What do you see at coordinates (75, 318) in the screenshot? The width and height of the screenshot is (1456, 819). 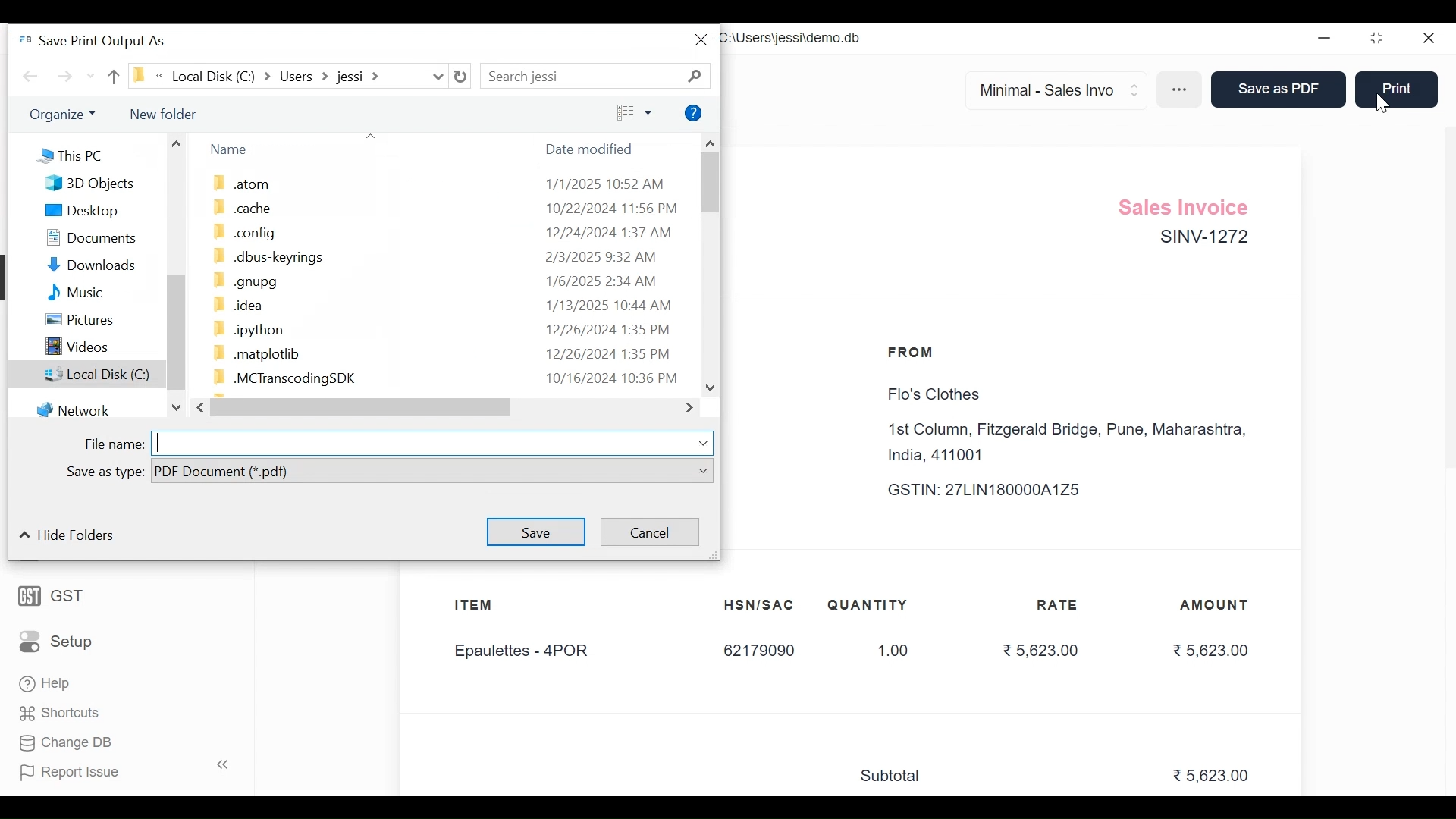 I see `Pictures` at bounding box center [75, 318].